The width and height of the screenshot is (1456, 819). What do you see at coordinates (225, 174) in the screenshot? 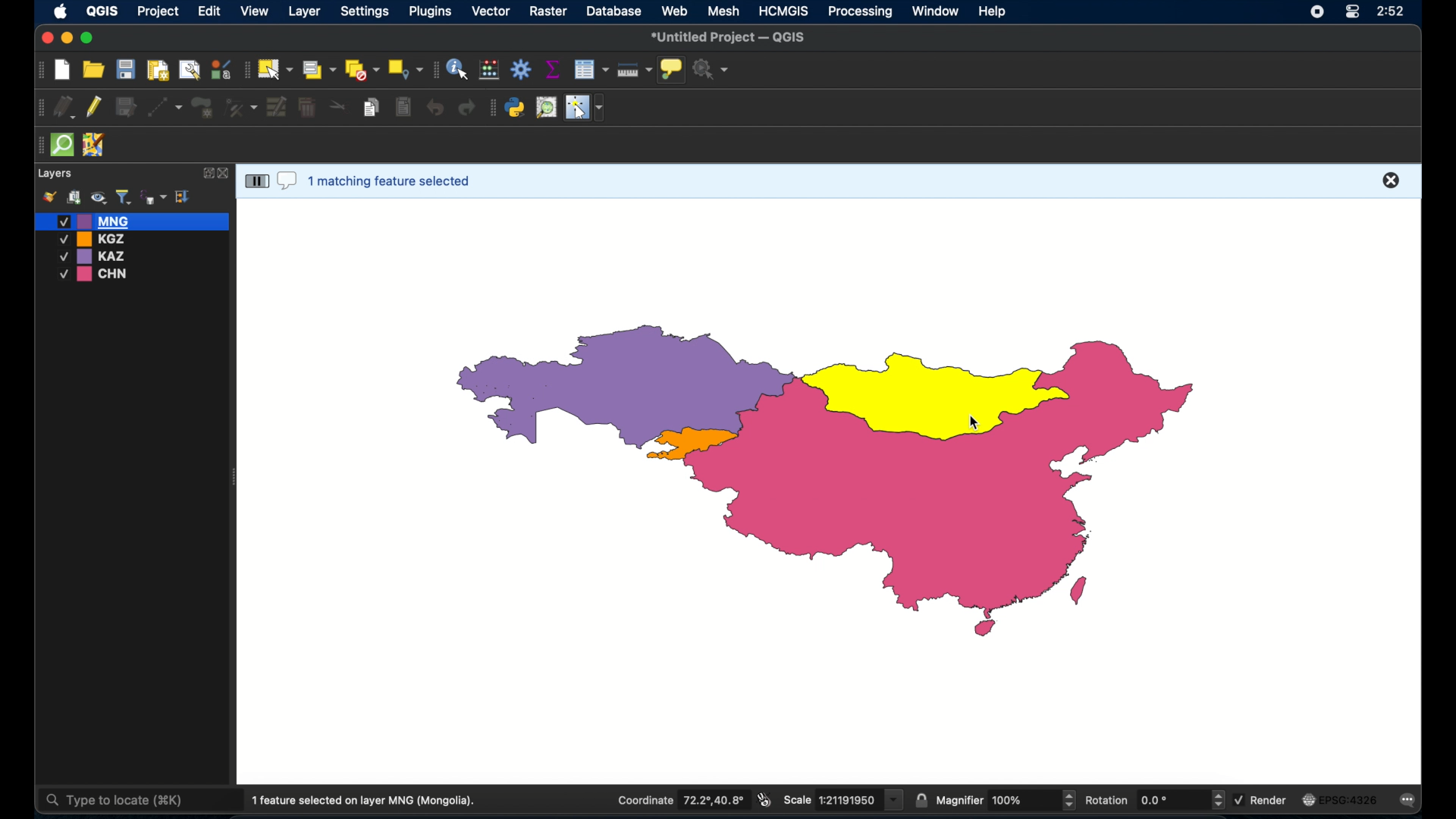
I see `close` at bounding box center [225, 174].